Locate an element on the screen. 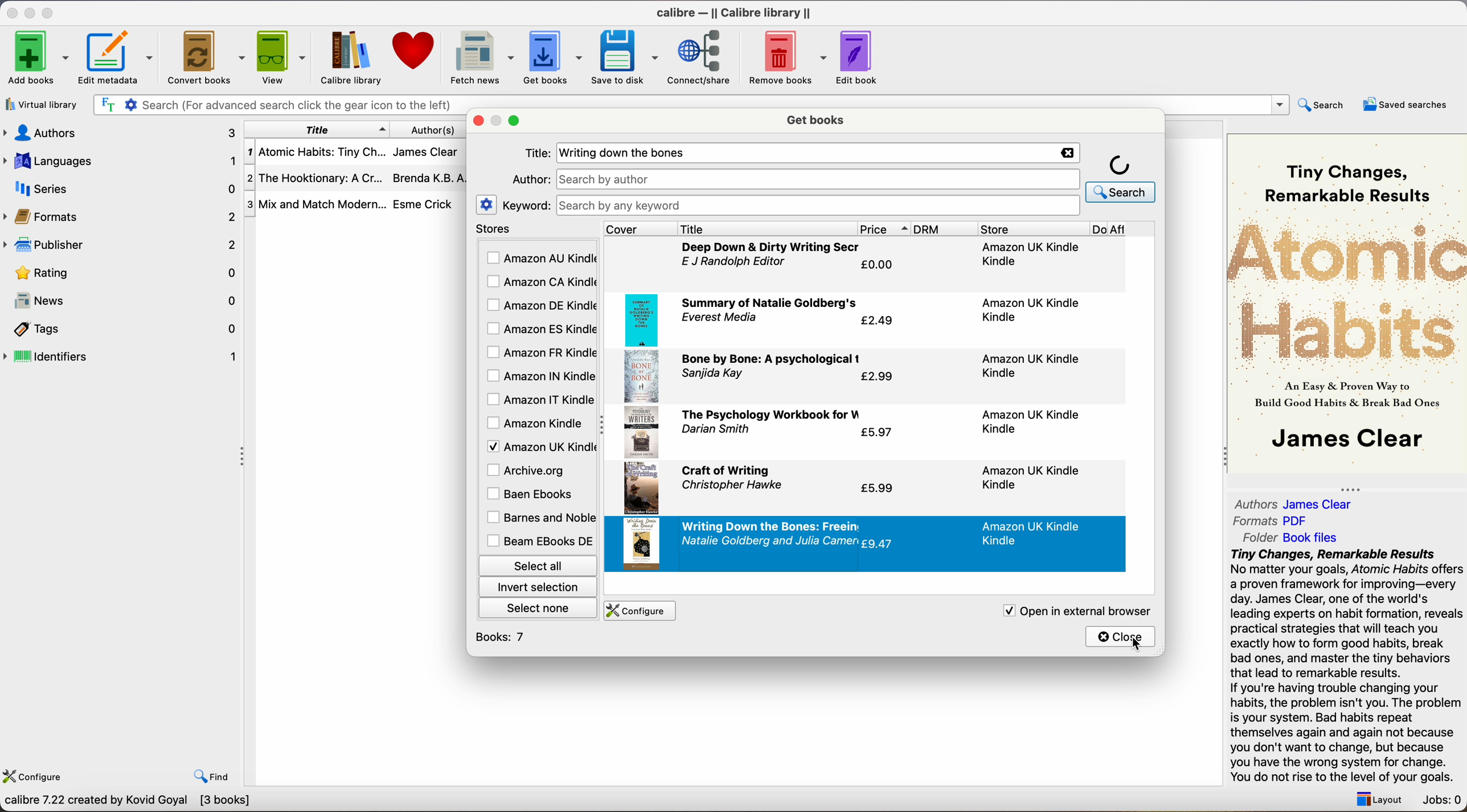  Sanjeeda Kay is located at coordinates (716, 375).